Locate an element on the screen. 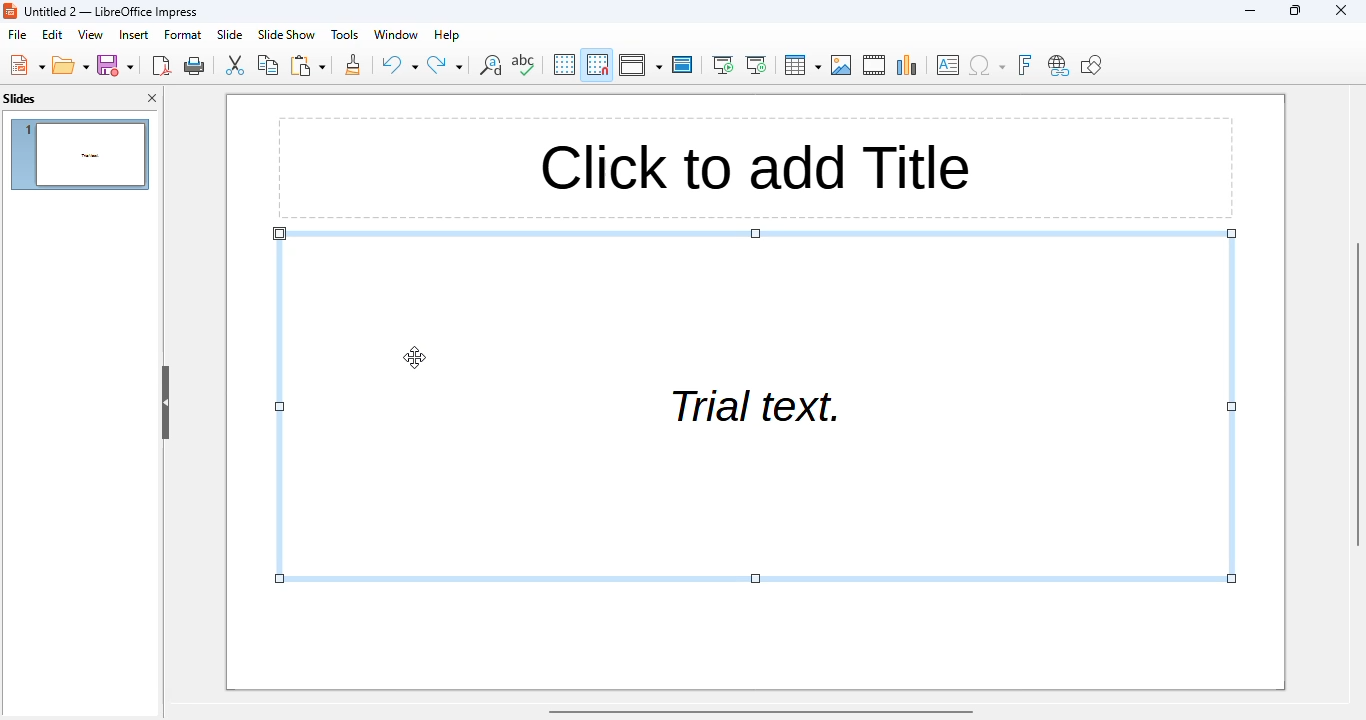 This screenshot has width=1366, height=720. file is located at coordinates (17, 34).